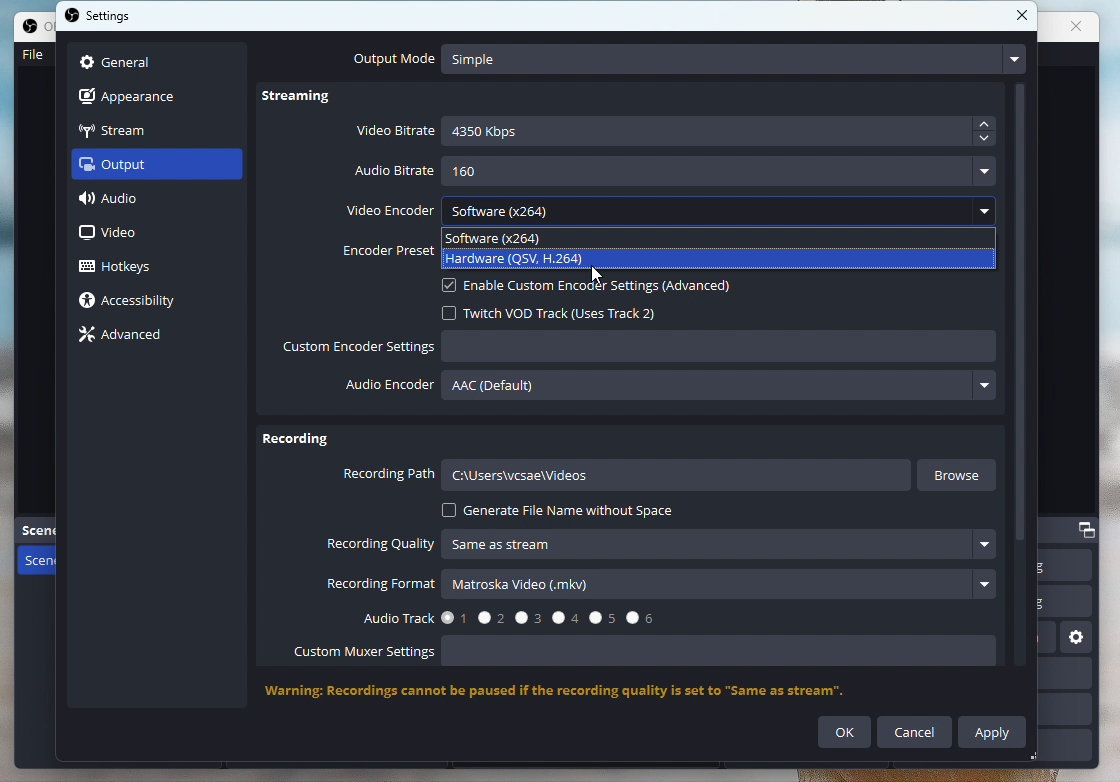  What do you see at coordinates (666, 545) in the screenshot?
I see `Recording quality` at bounding box center [666, 545].